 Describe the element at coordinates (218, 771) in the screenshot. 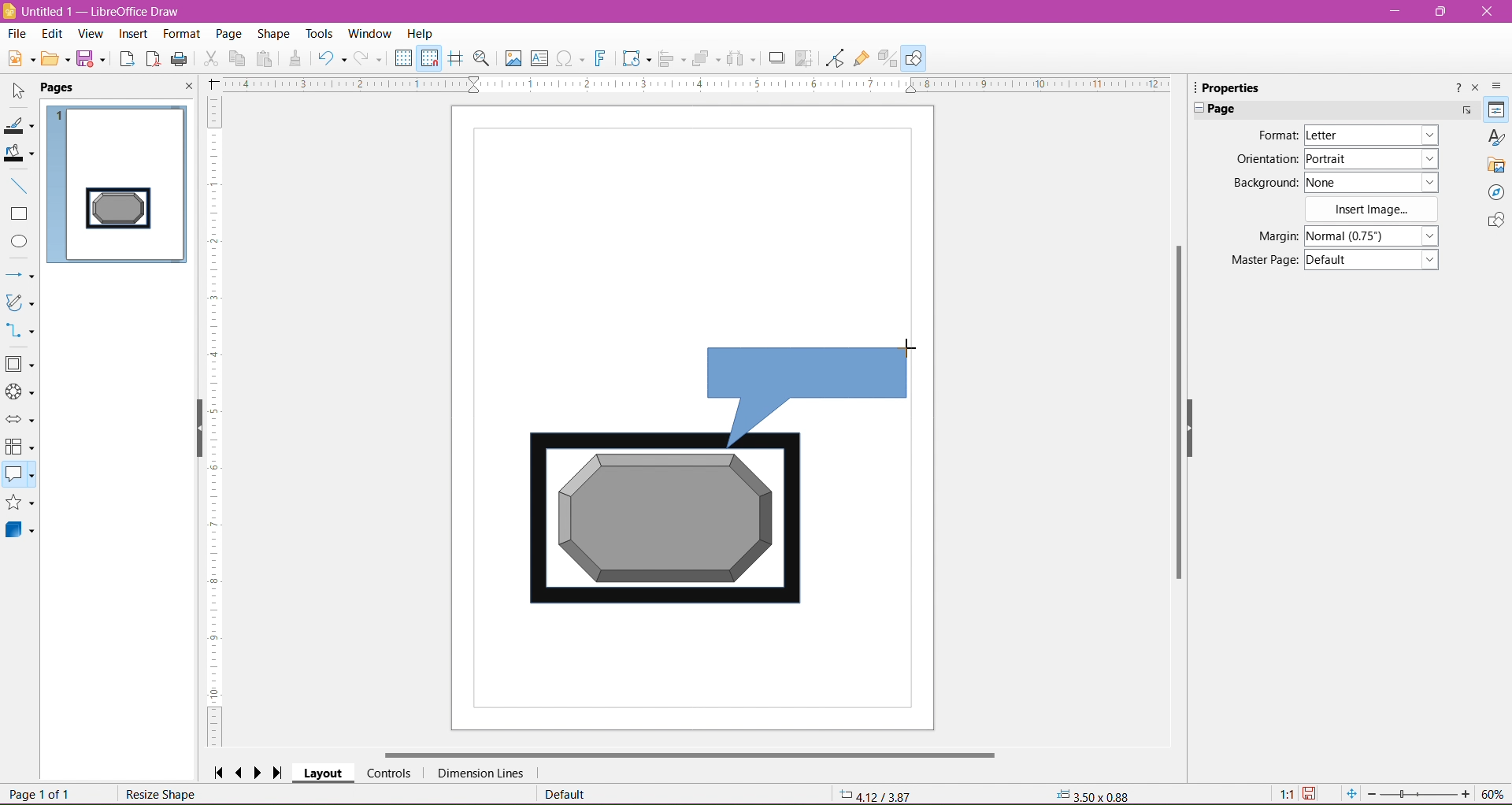

I see `Scroll to first page` at that location.